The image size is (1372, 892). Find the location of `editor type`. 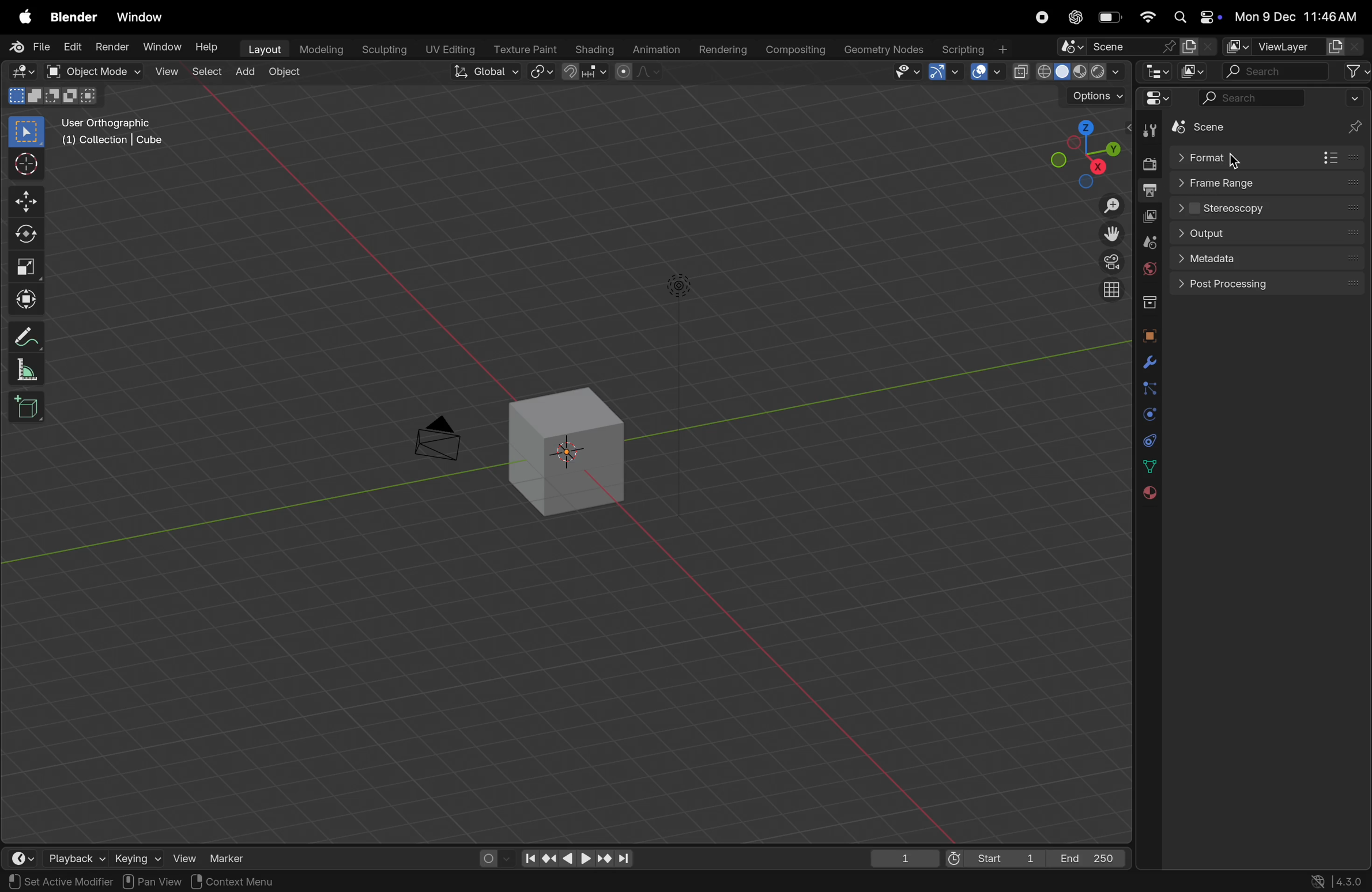

editor type is located at coordinates (1156, 71).